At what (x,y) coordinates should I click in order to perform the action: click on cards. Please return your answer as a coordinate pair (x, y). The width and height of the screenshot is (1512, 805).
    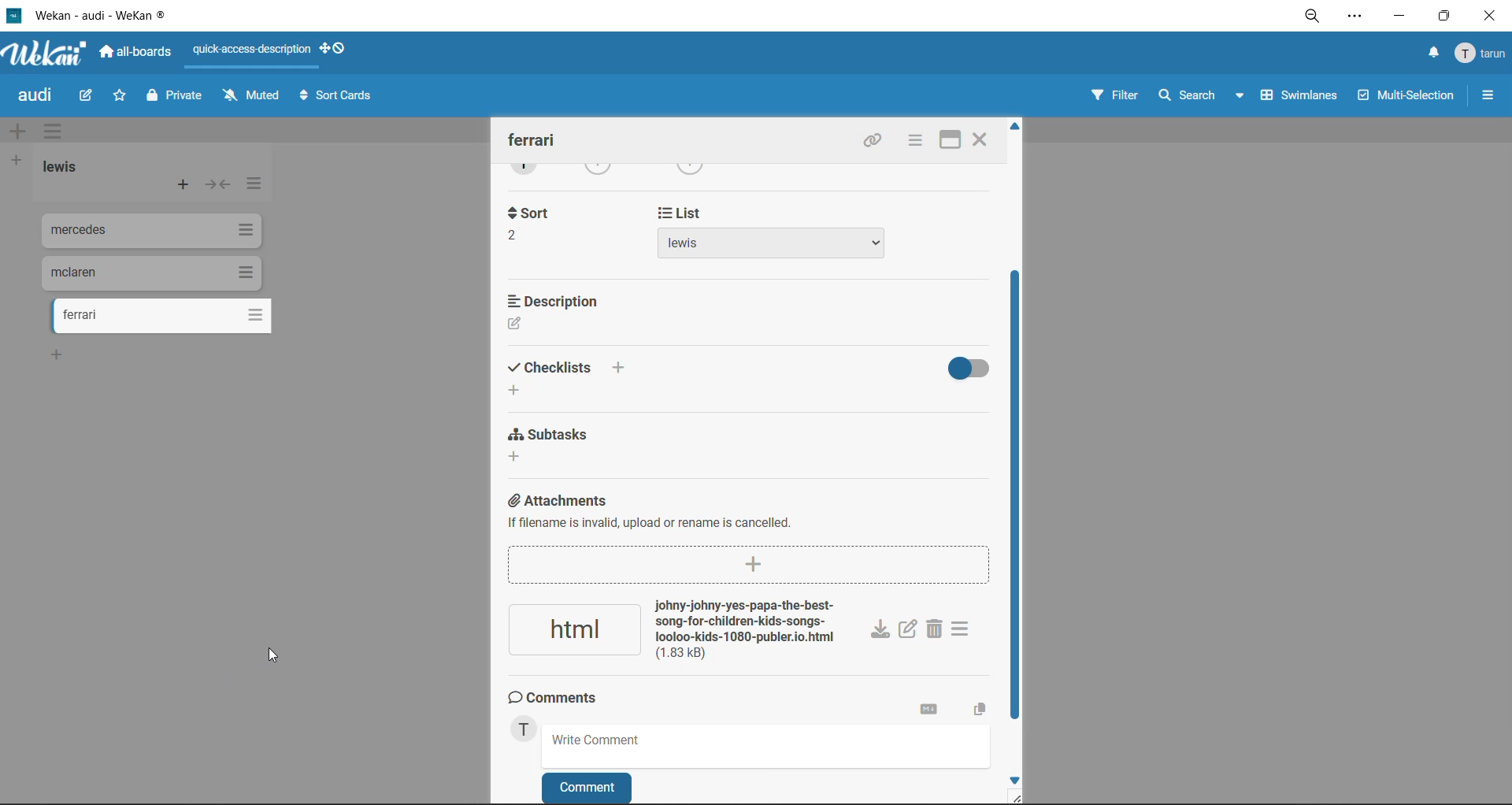
    Looking at the image, I should click on (147, 231).